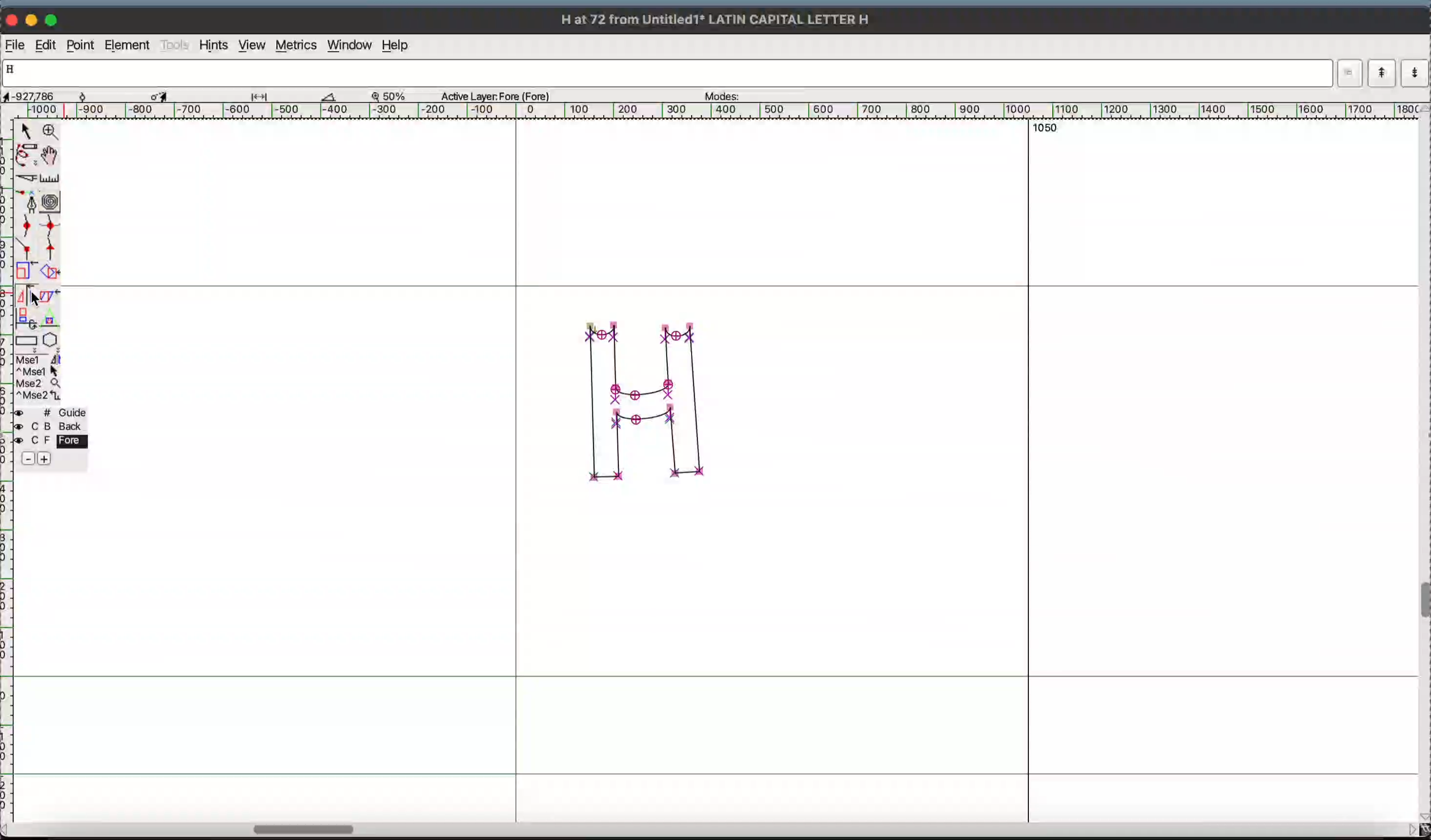 The width and height of the screenshot is (1431, 840). I want to click on modes, so click(747, 95).